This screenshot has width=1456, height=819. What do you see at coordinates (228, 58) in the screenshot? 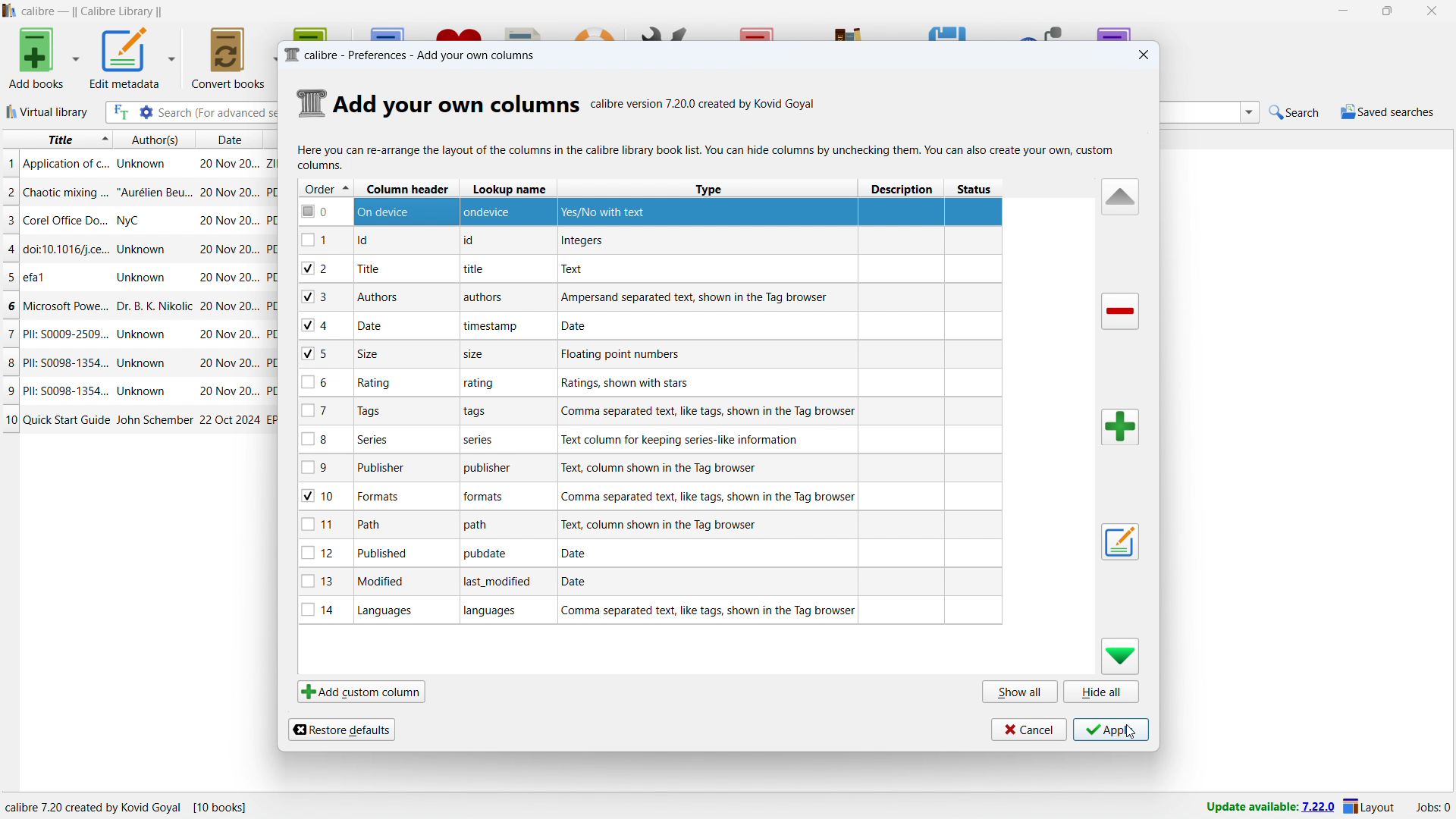
I see `convert books` at bounding box center [228, 58].